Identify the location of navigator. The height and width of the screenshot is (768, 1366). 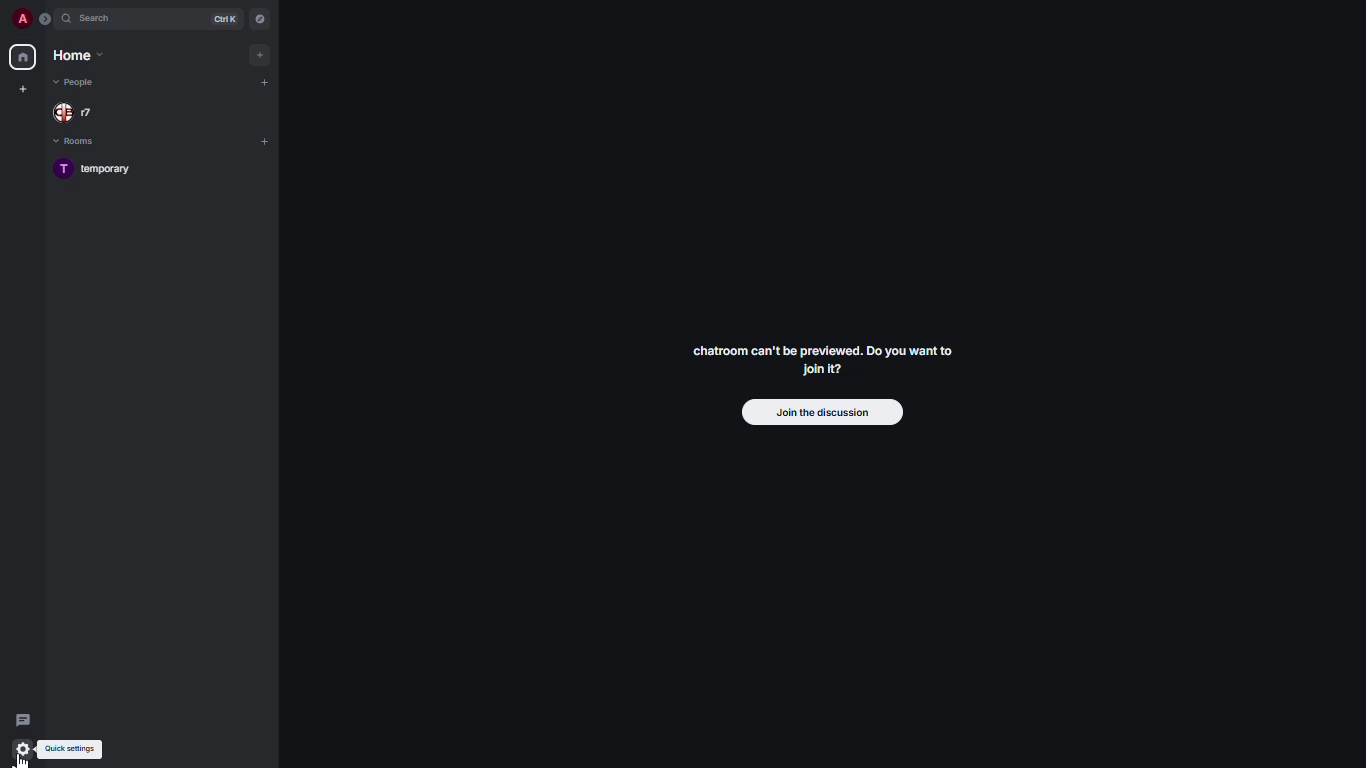
(258, 19).